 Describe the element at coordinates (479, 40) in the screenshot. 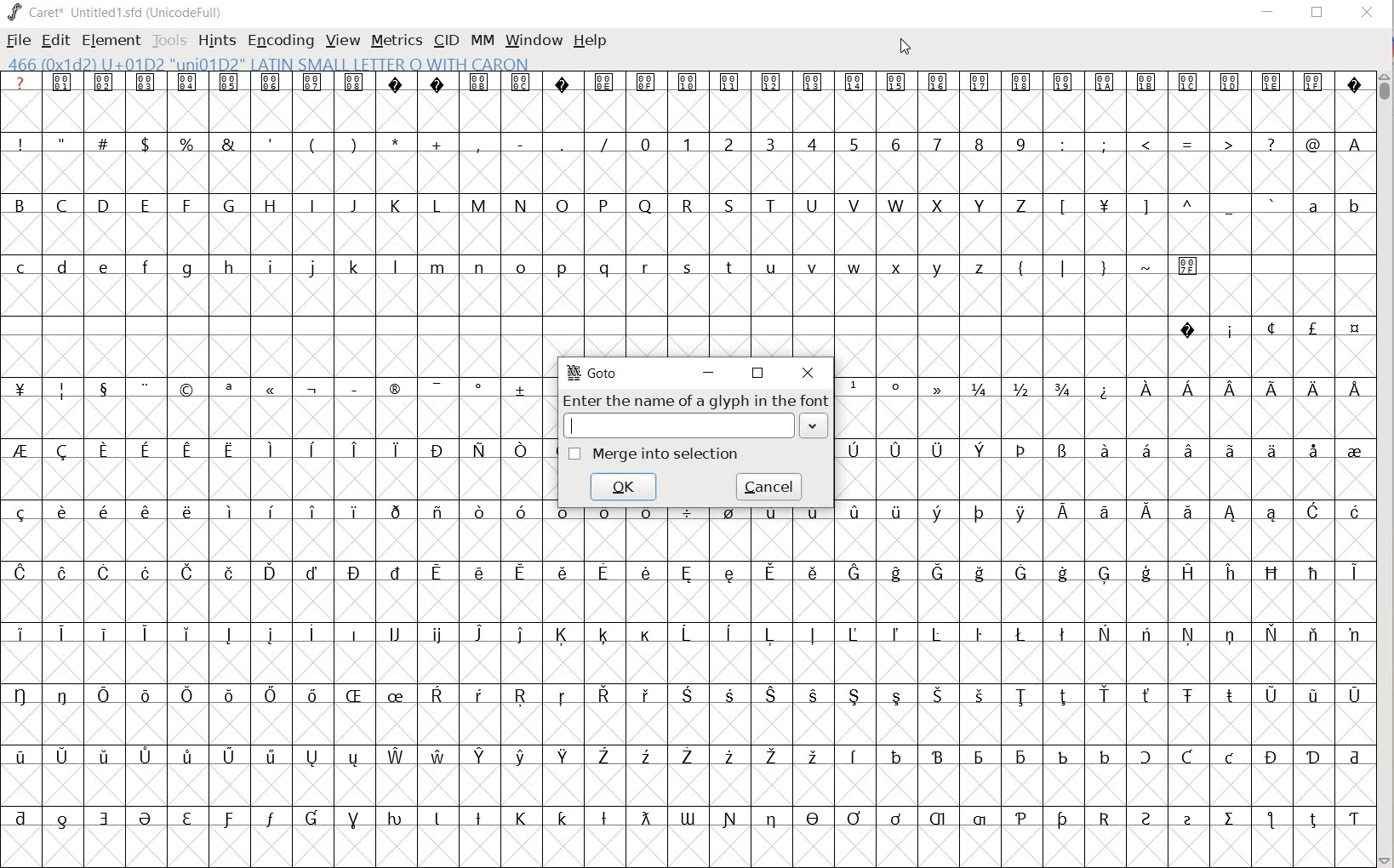

I see `MM` at that location.